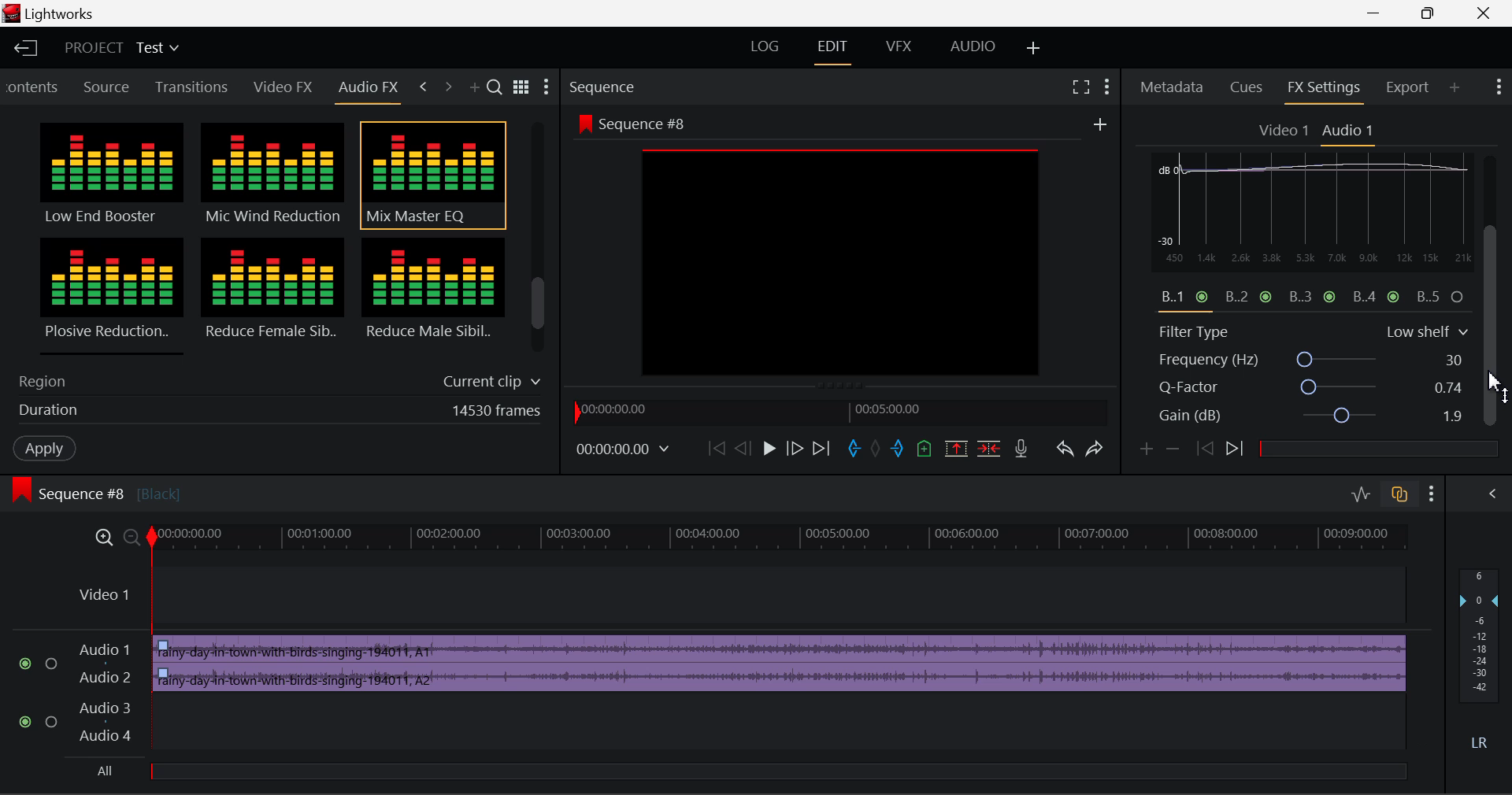 This screenshot has width=1512, height=795. Describe the element at coordinates (1313, 330) in the screenshot. I see `Filter Type` at that location.